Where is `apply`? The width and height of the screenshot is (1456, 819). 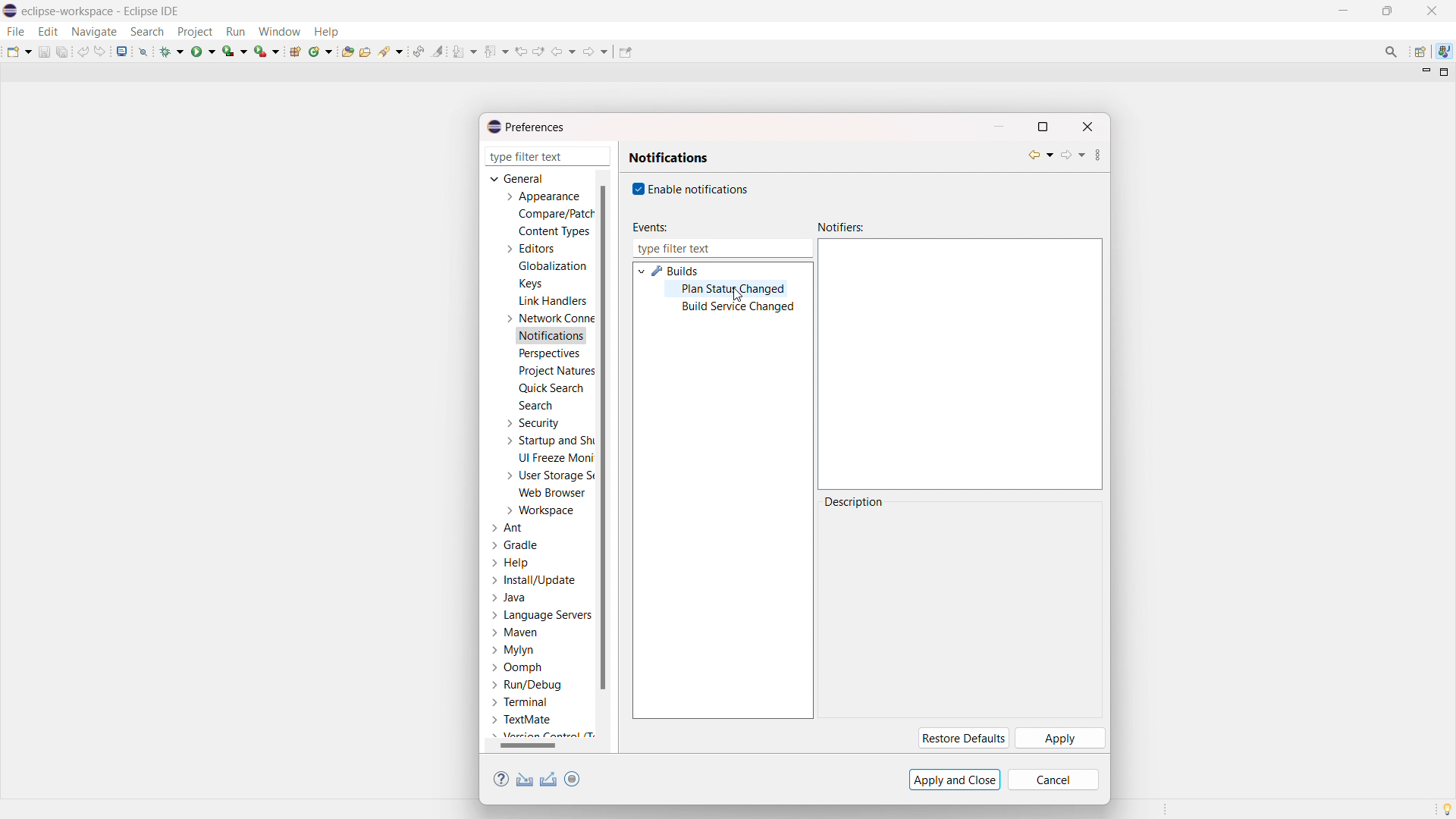 apply is located at coordinates (1059, 739).